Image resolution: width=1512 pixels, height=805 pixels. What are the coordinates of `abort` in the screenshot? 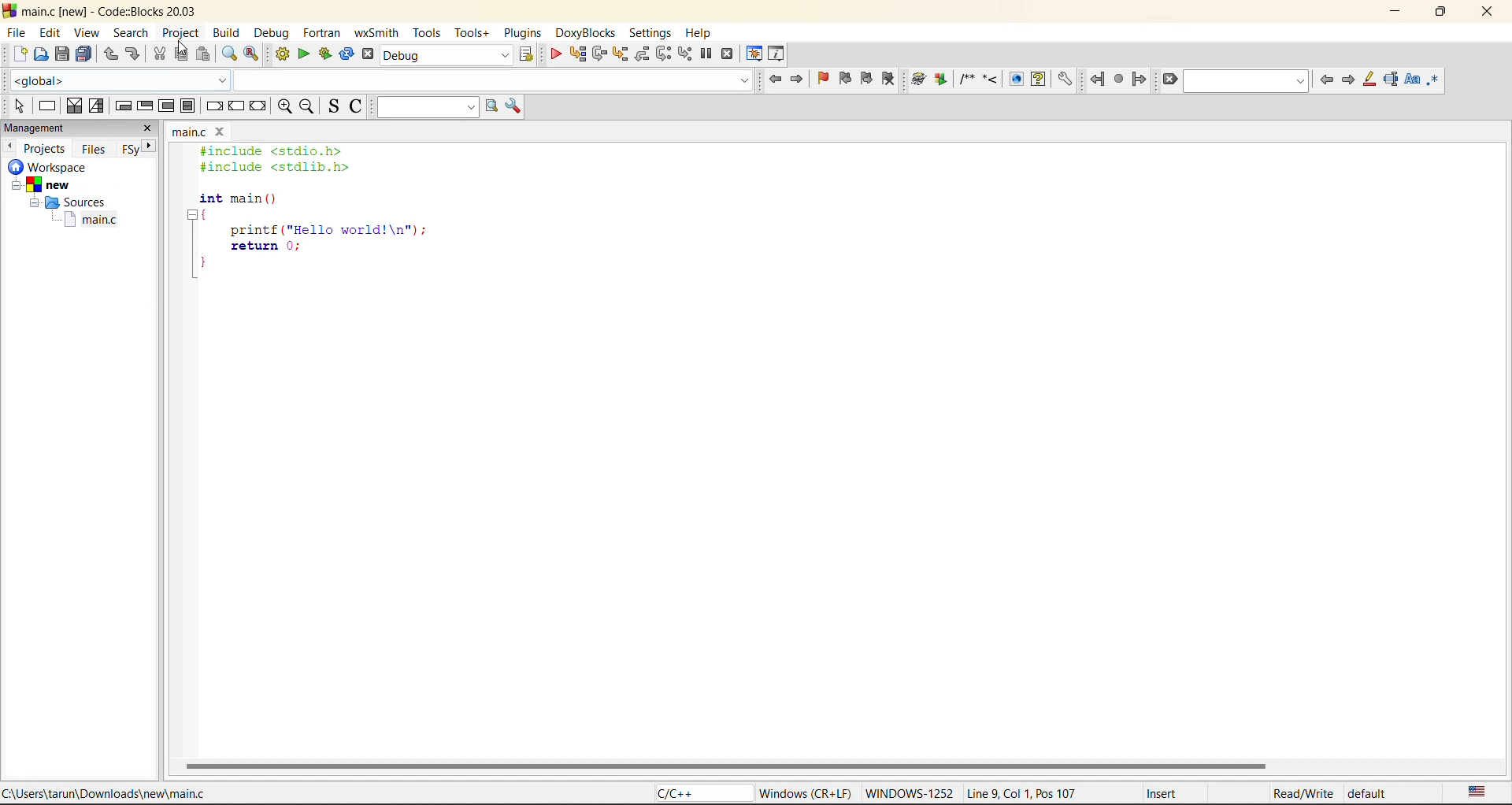 It's located at (367, 55).